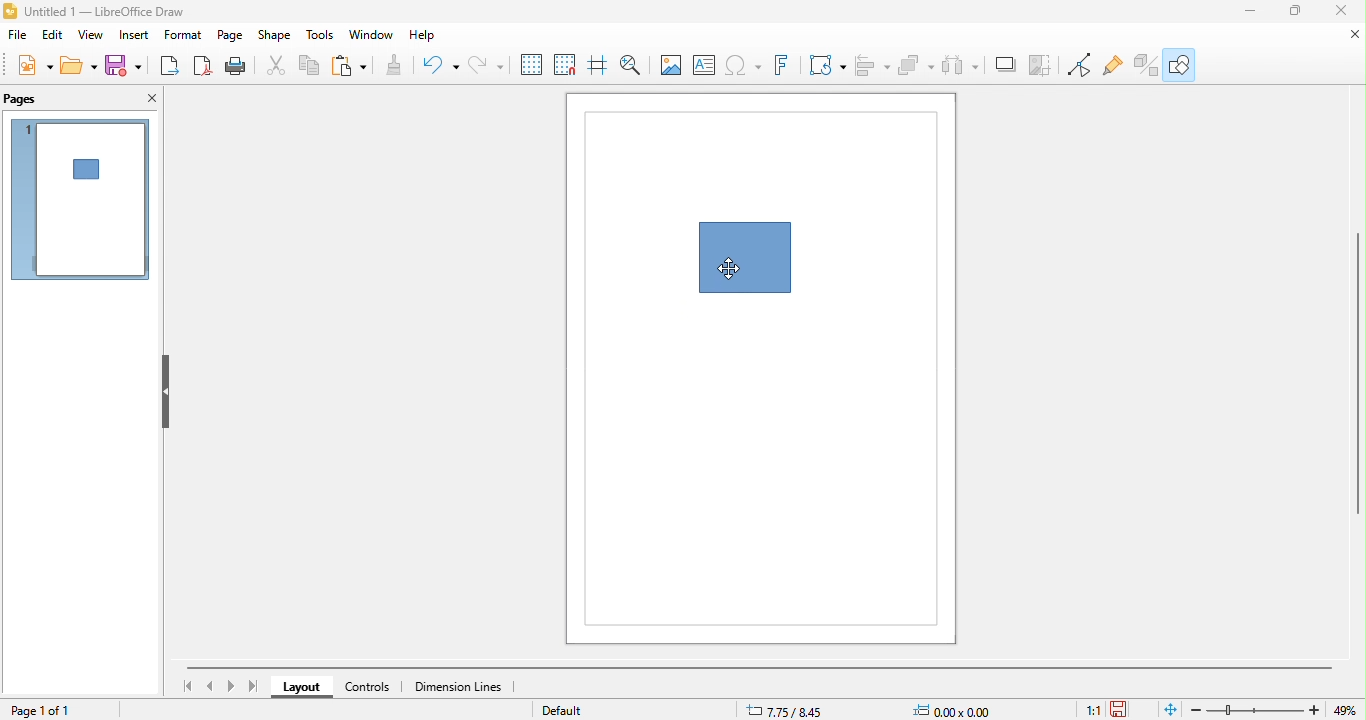  Describe the element at coordinates (960, 66) in the screenshot. I see `shadow ` at that location.